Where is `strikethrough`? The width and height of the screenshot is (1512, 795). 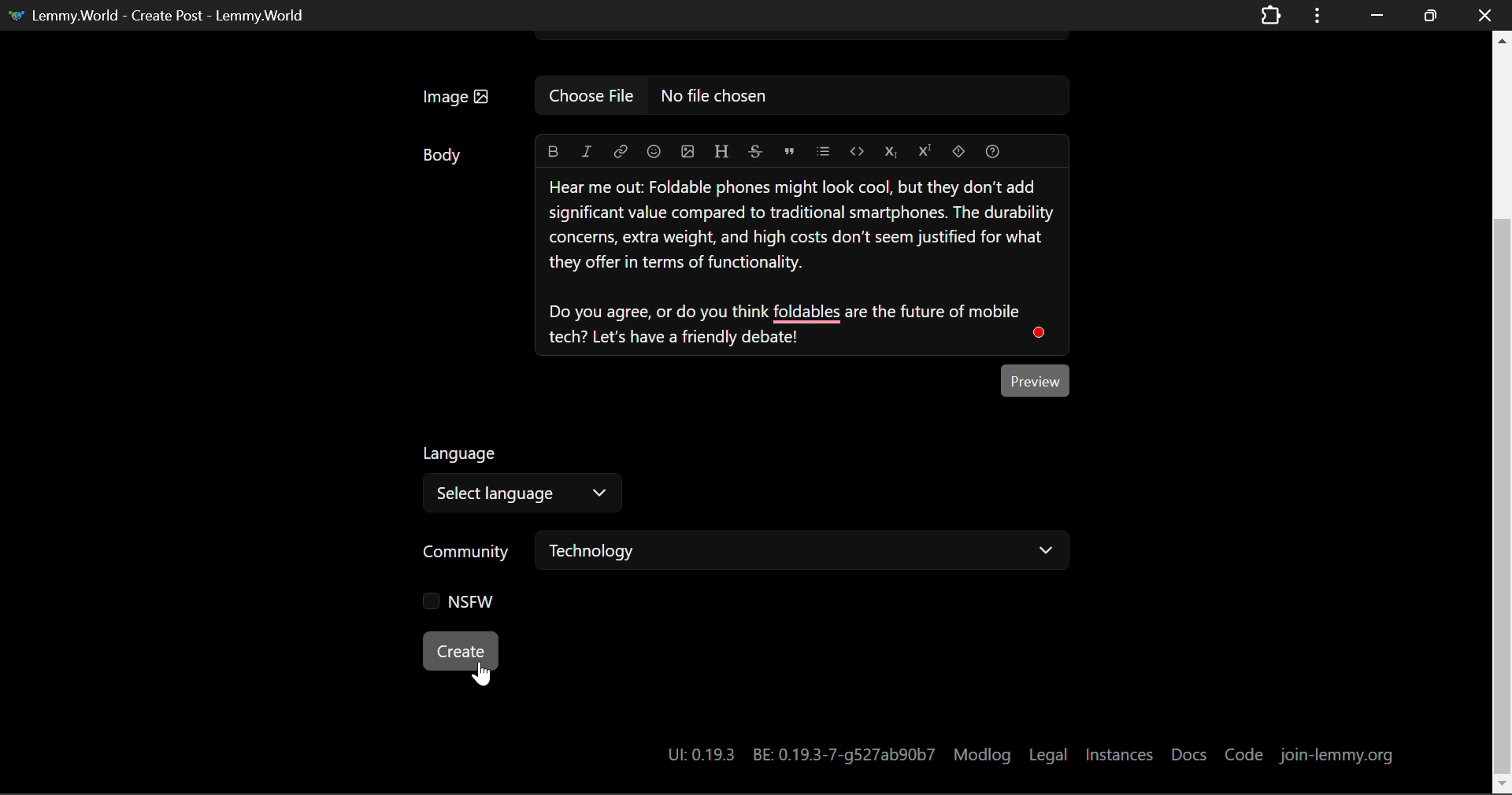 strikethrough is located at coordinates (756, 151).